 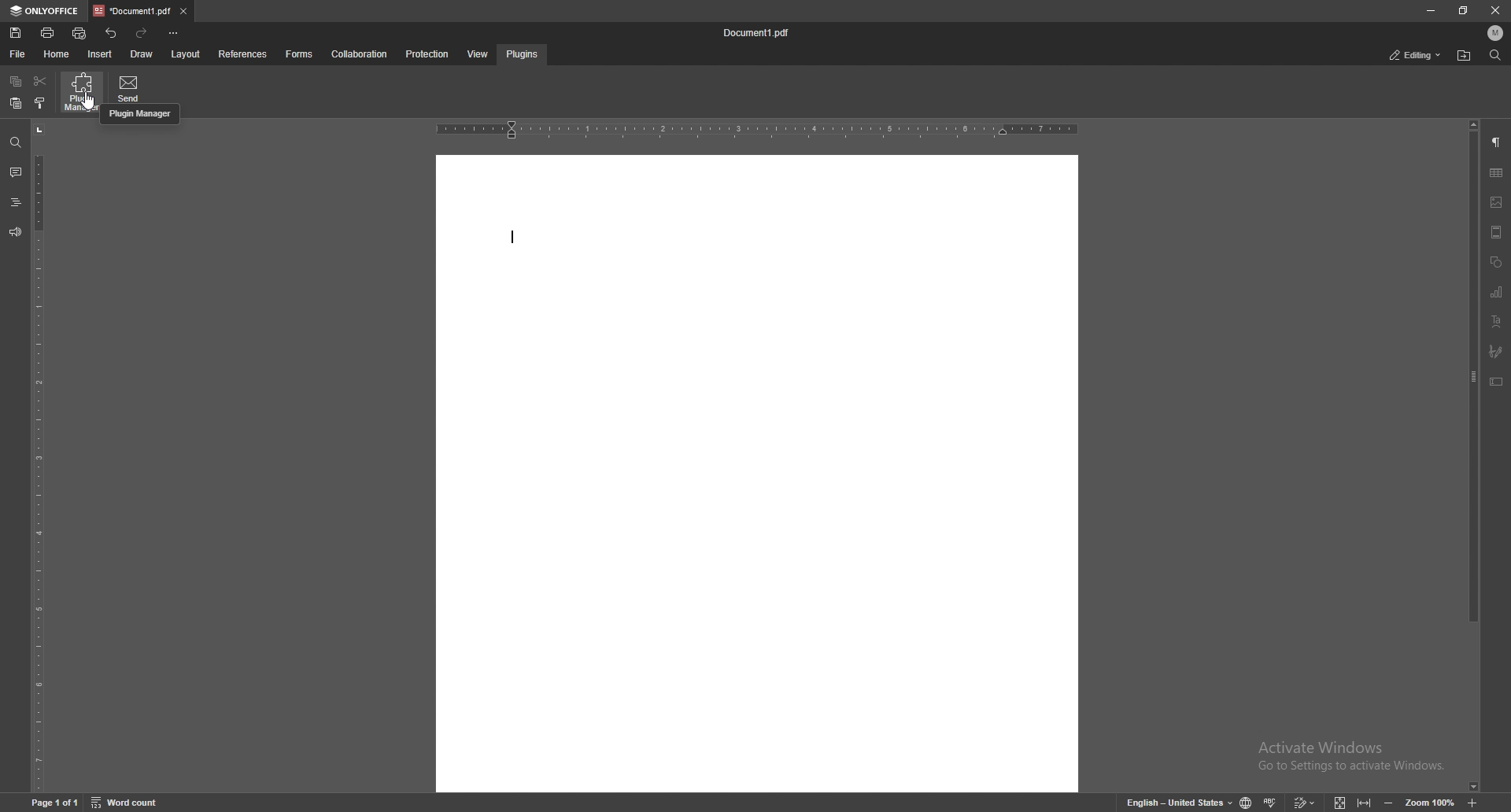 I want to click on shapes, so click(x=1498, y=262).